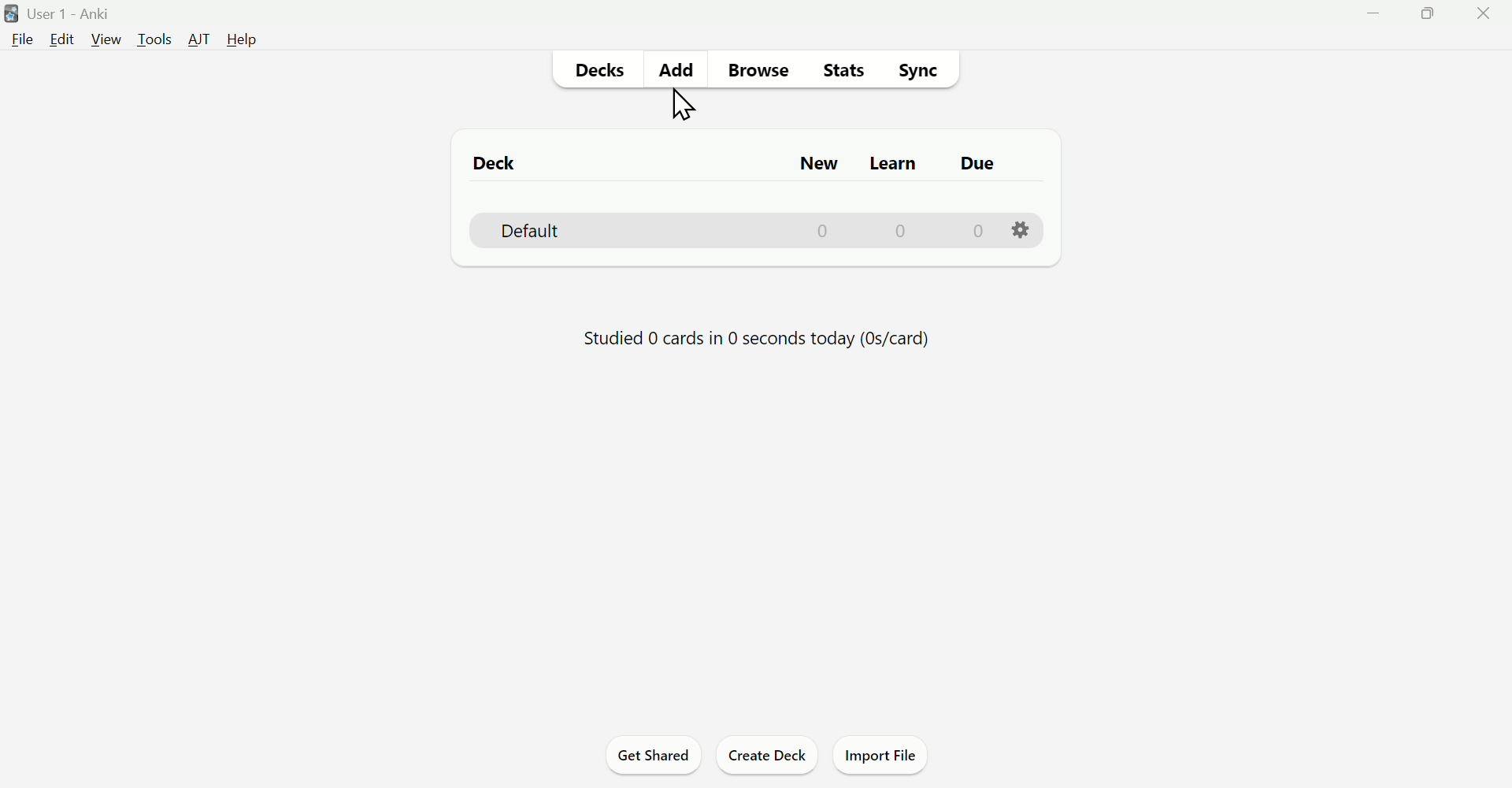 The height and width of the screenshot is (788, 1512). Describe the element at coordinates (676, 68) in the screenshot. I see `Add` at that location.